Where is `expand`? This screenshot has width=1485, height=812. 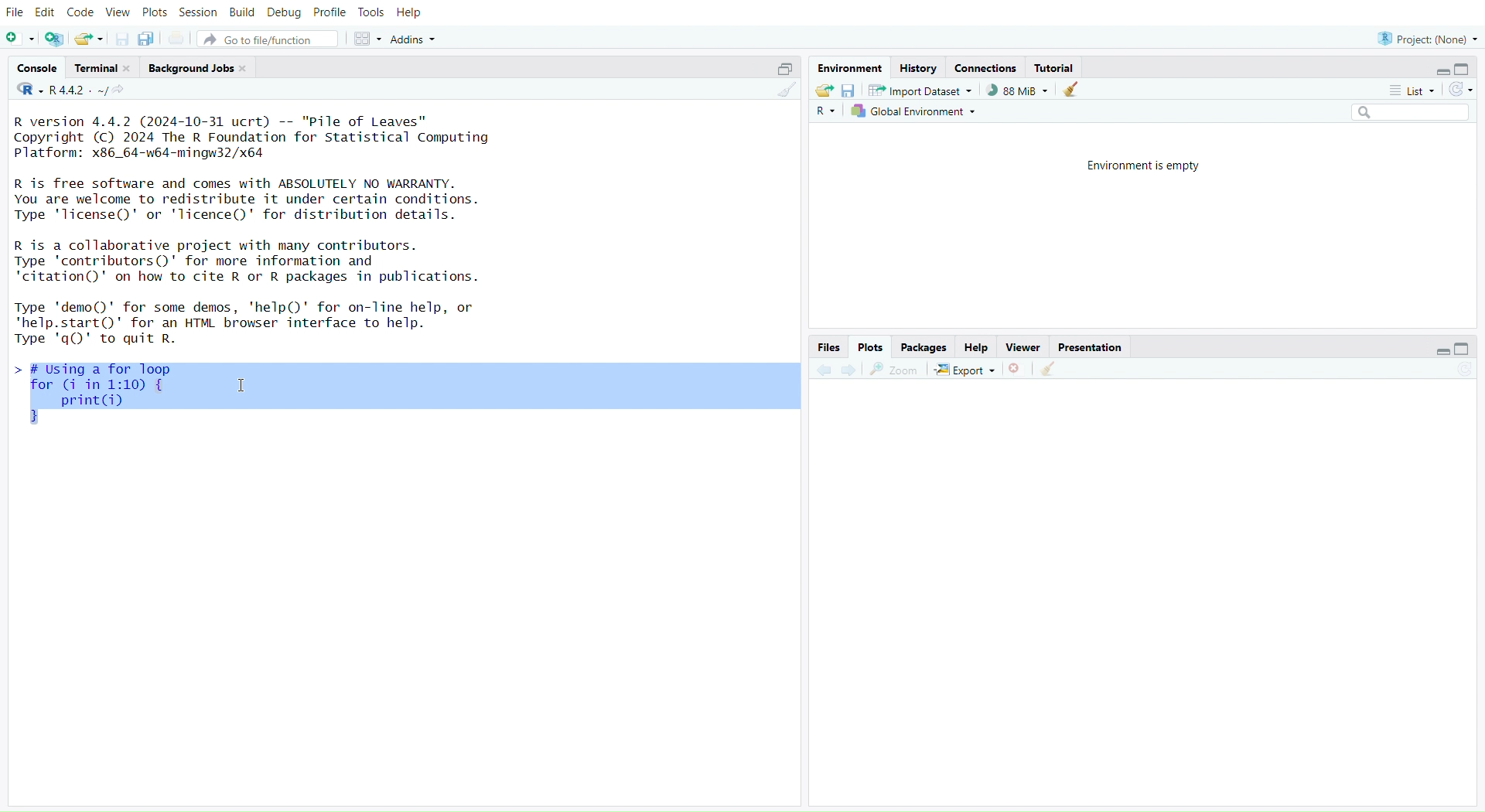 expand is located at coordinates (1440, 72).